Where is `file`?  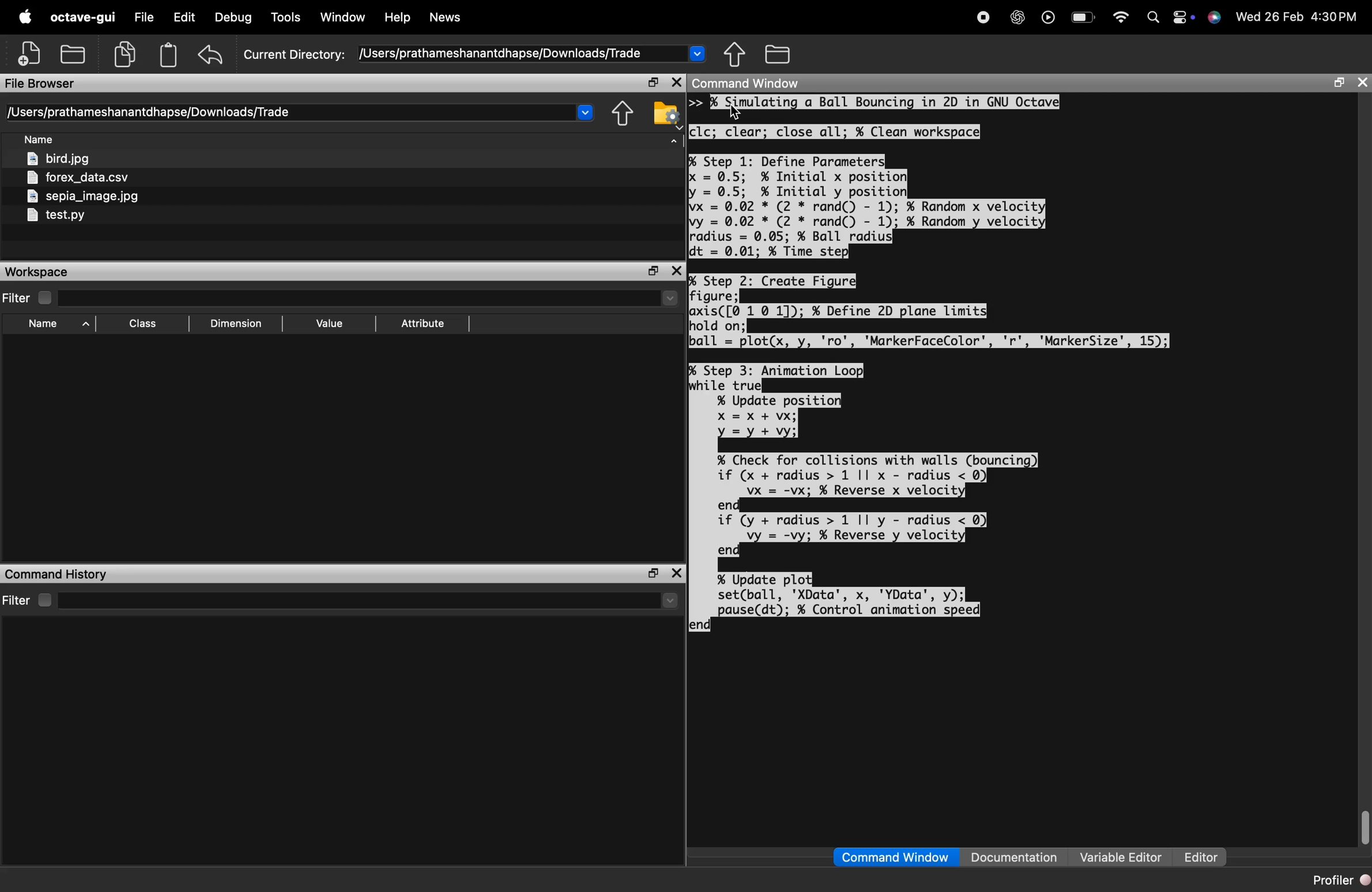 file is located at coordinates (144, 16).